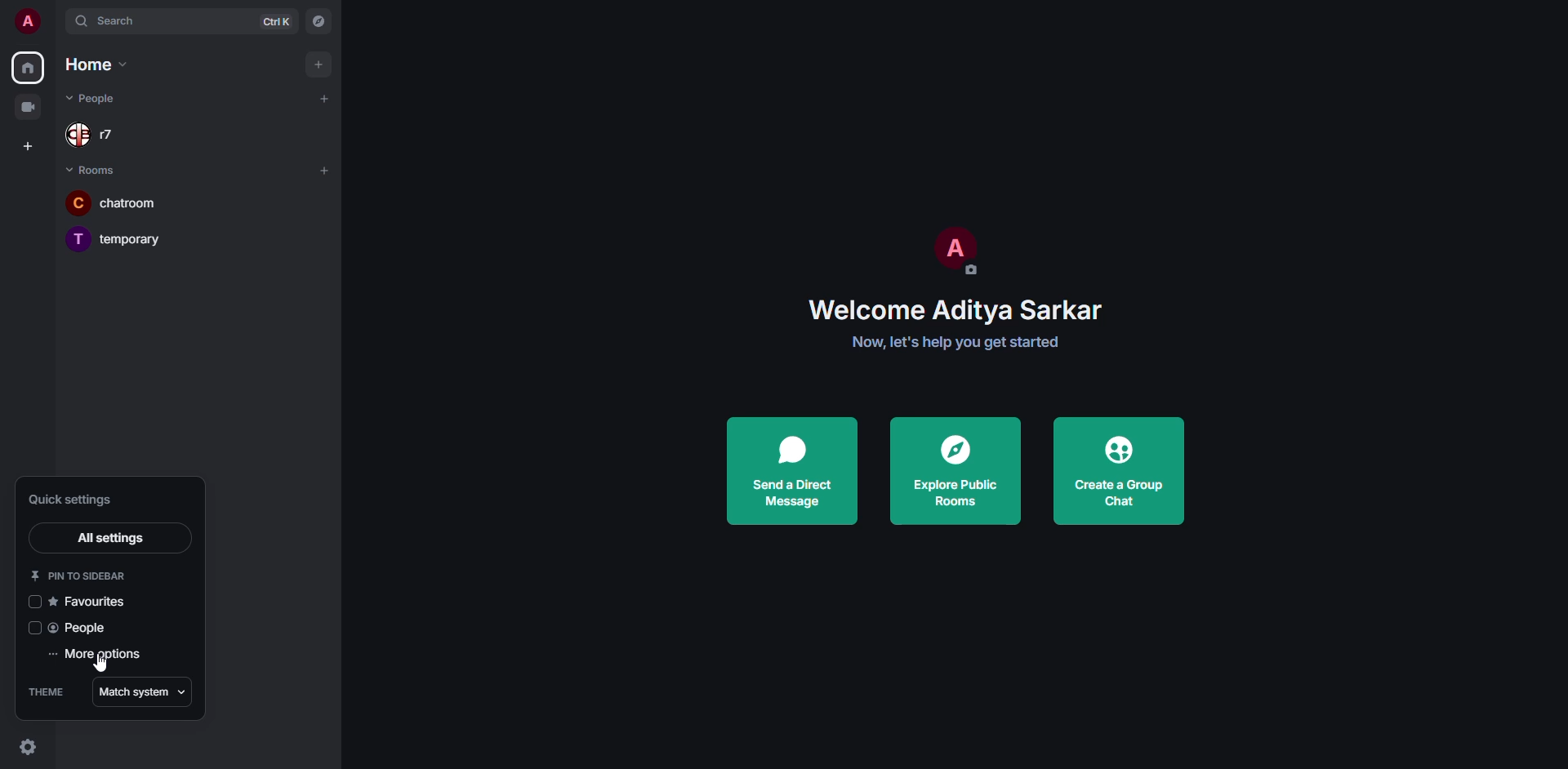 The height and width of the screenshot is (769, 1568). What do you see at coordinates (276, 21) in the screenshot?
I see `ctrl K` at bounding box center [276, 21].